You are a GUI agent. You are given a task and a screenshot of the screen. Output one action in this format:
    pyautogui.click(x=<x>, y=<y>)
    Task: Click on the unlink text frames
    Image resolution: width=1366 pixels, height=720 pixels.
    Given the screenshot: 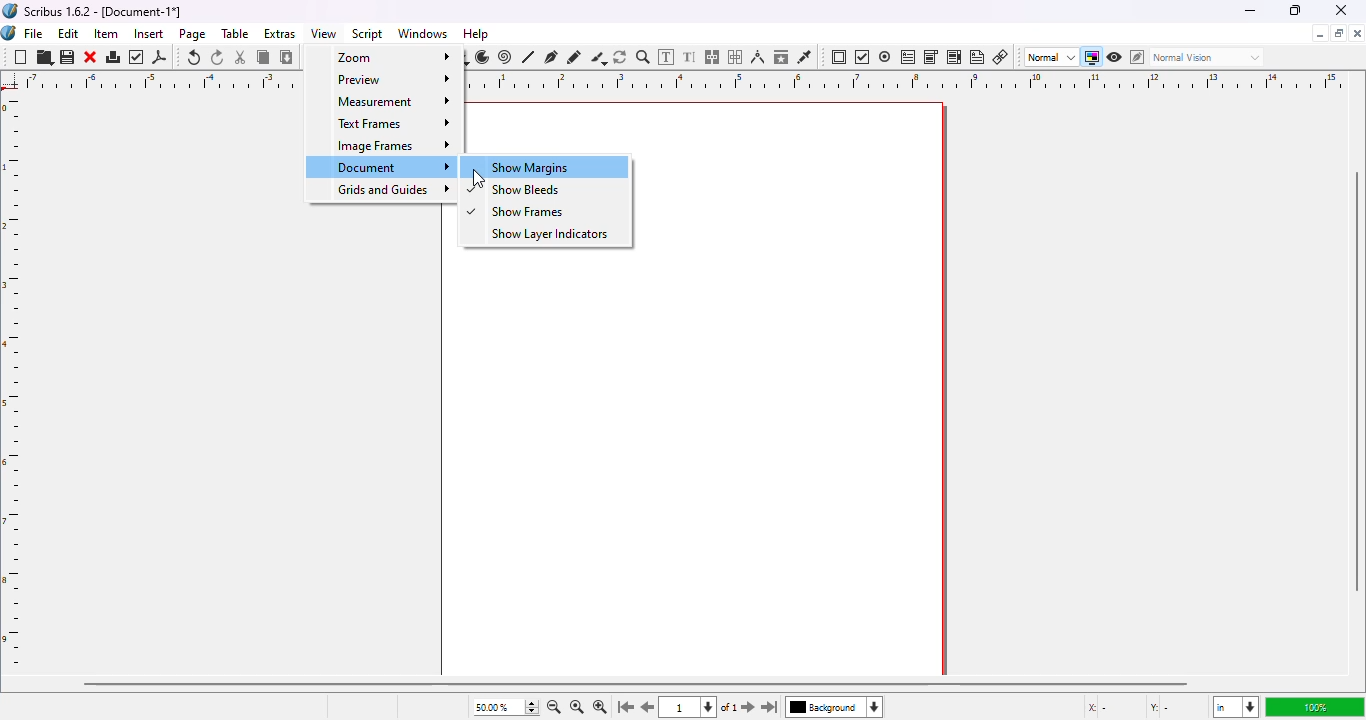 What is the action you would take?
    pyautogui.click(x=738, y=57)
    